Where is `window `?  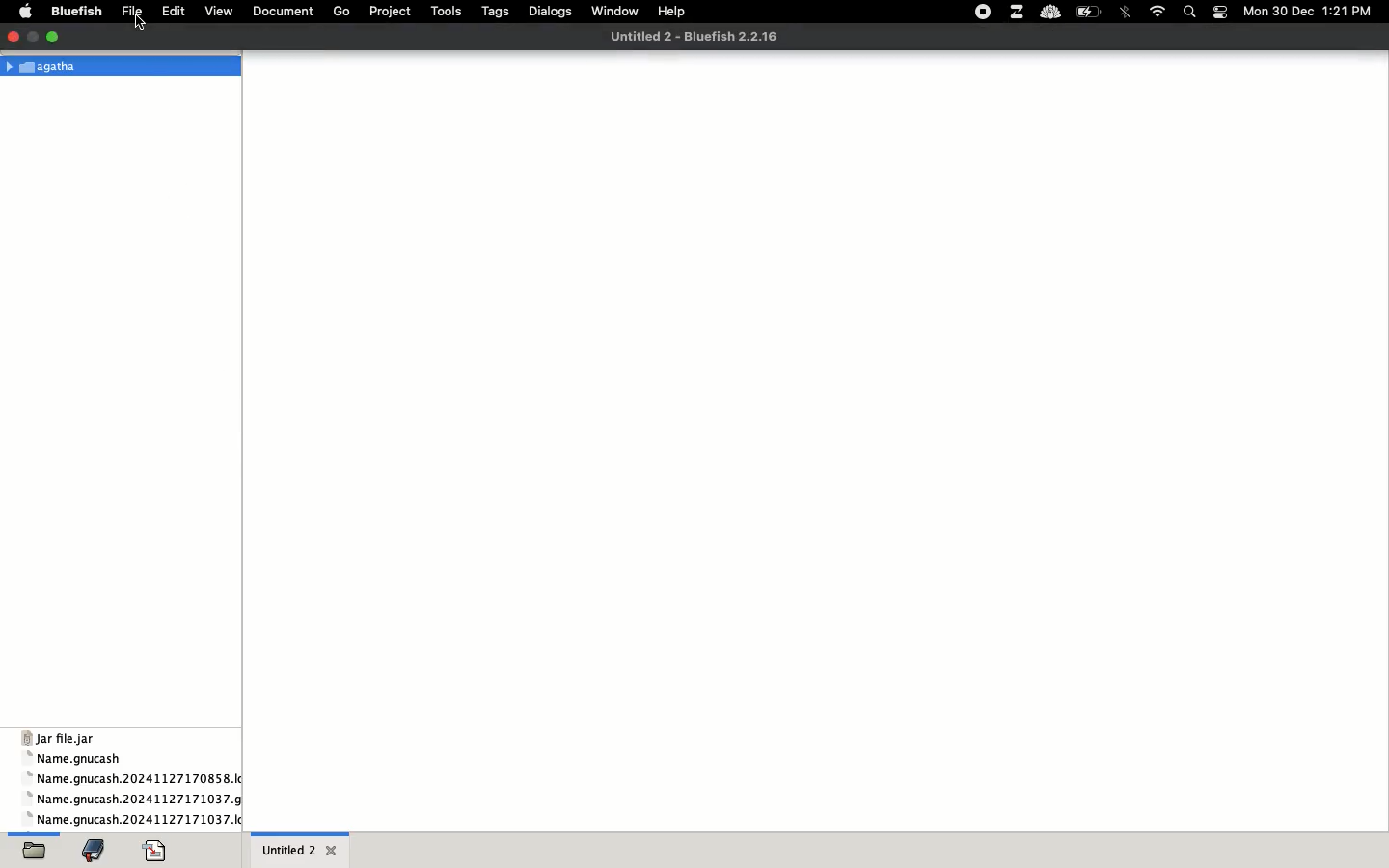 window  is located at coordinates (613, 11).